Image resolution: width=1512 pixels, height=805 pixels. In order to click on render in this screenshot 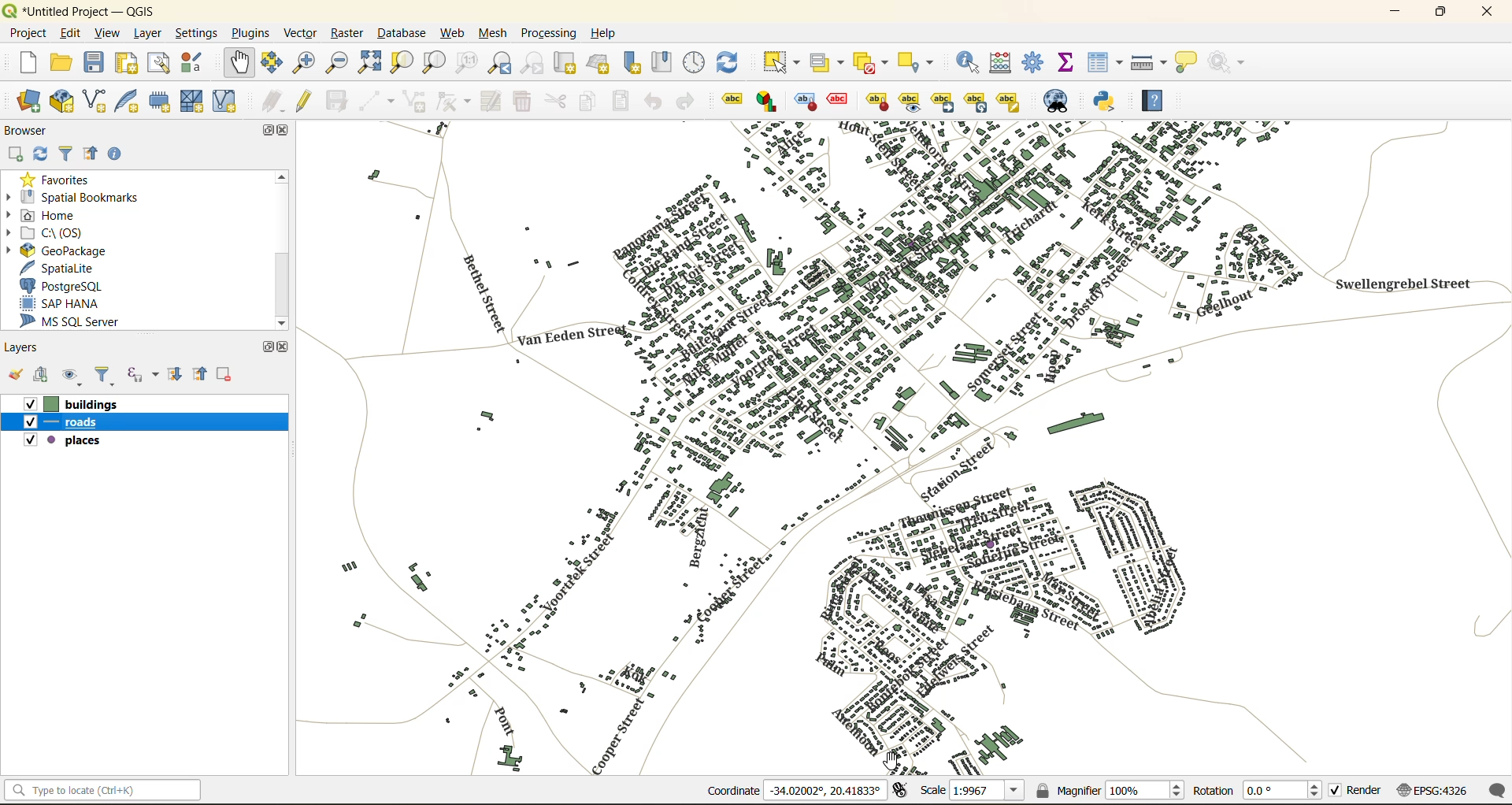, I will do `click(1354, 789)`.